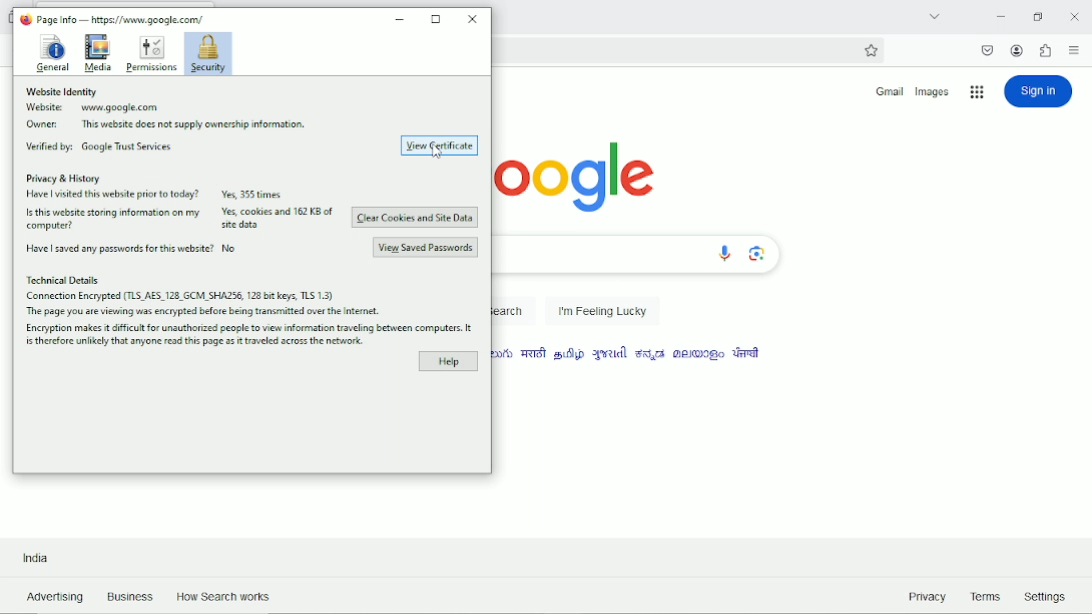  Describe the element at coordinates (1041, 90) in the screenshot. I see `Sign in` at that location.